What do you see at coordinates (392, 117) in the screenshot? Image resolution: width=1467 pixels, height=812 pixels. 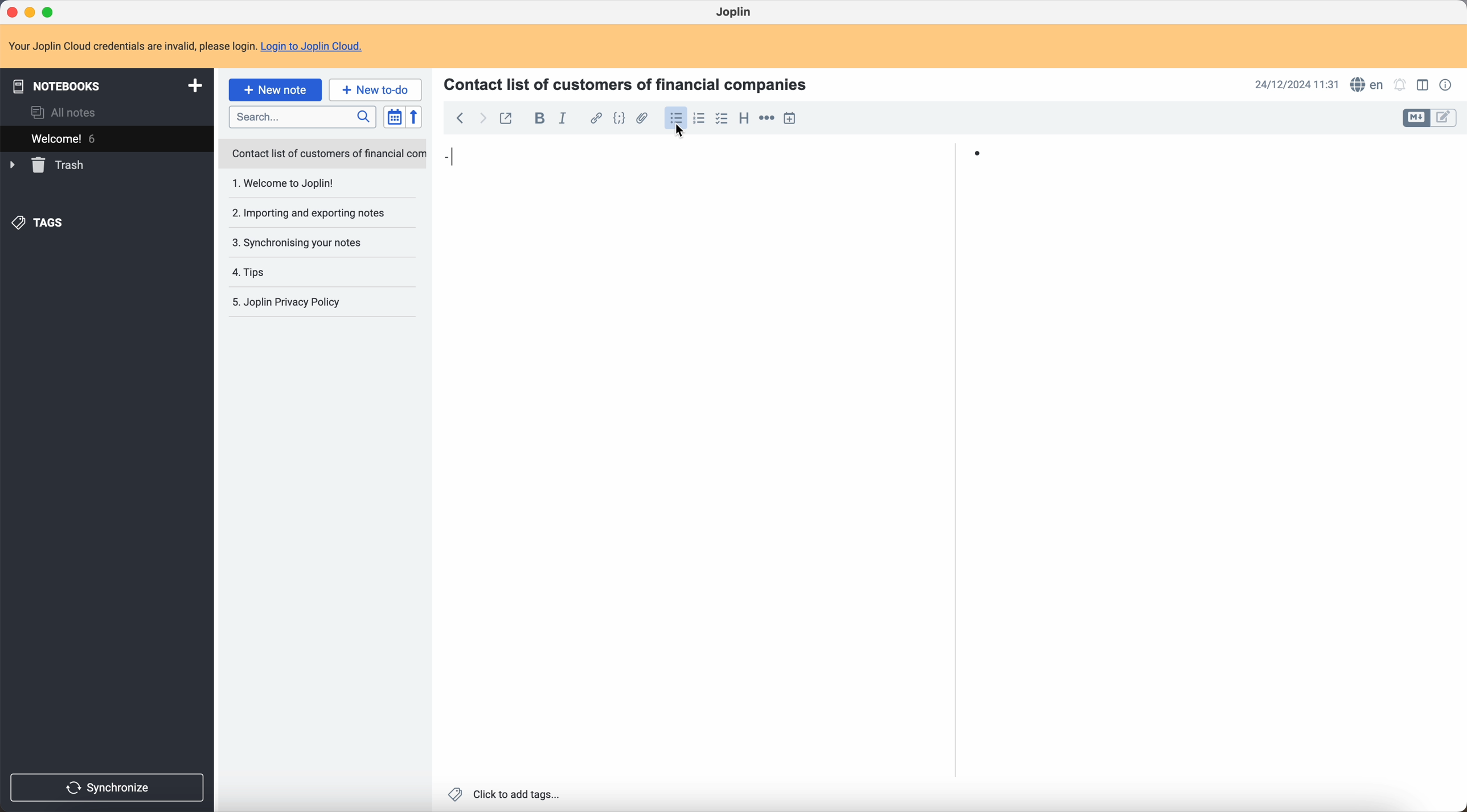 I see `toggle sort order field` at bounding box center [392, 117].